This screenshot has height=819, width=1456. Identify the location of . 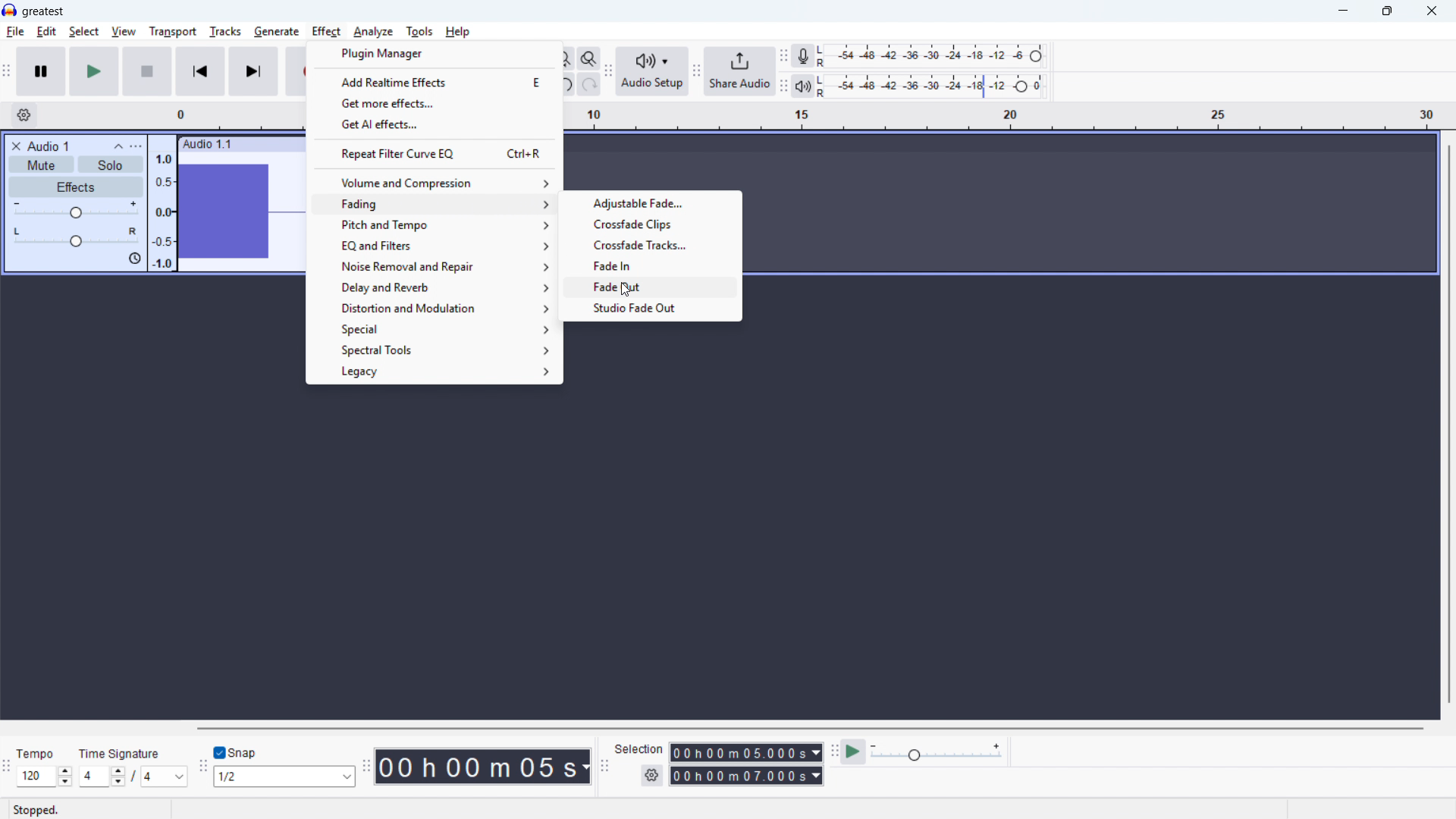
(35, 755).